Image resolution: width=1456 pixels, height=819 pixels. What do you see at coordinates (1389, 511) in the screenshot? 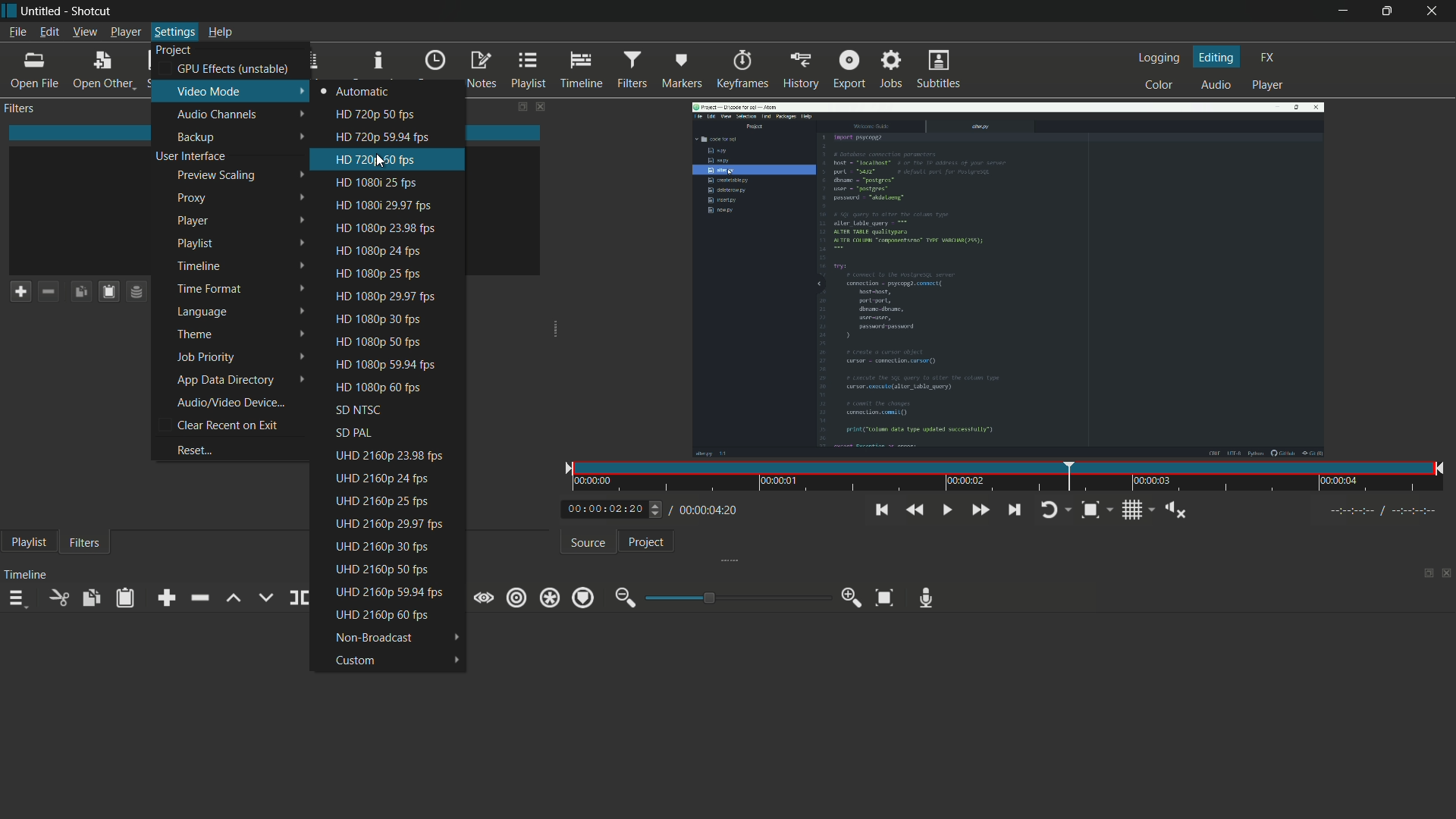
I see `` at bounding box center [1389, 511].